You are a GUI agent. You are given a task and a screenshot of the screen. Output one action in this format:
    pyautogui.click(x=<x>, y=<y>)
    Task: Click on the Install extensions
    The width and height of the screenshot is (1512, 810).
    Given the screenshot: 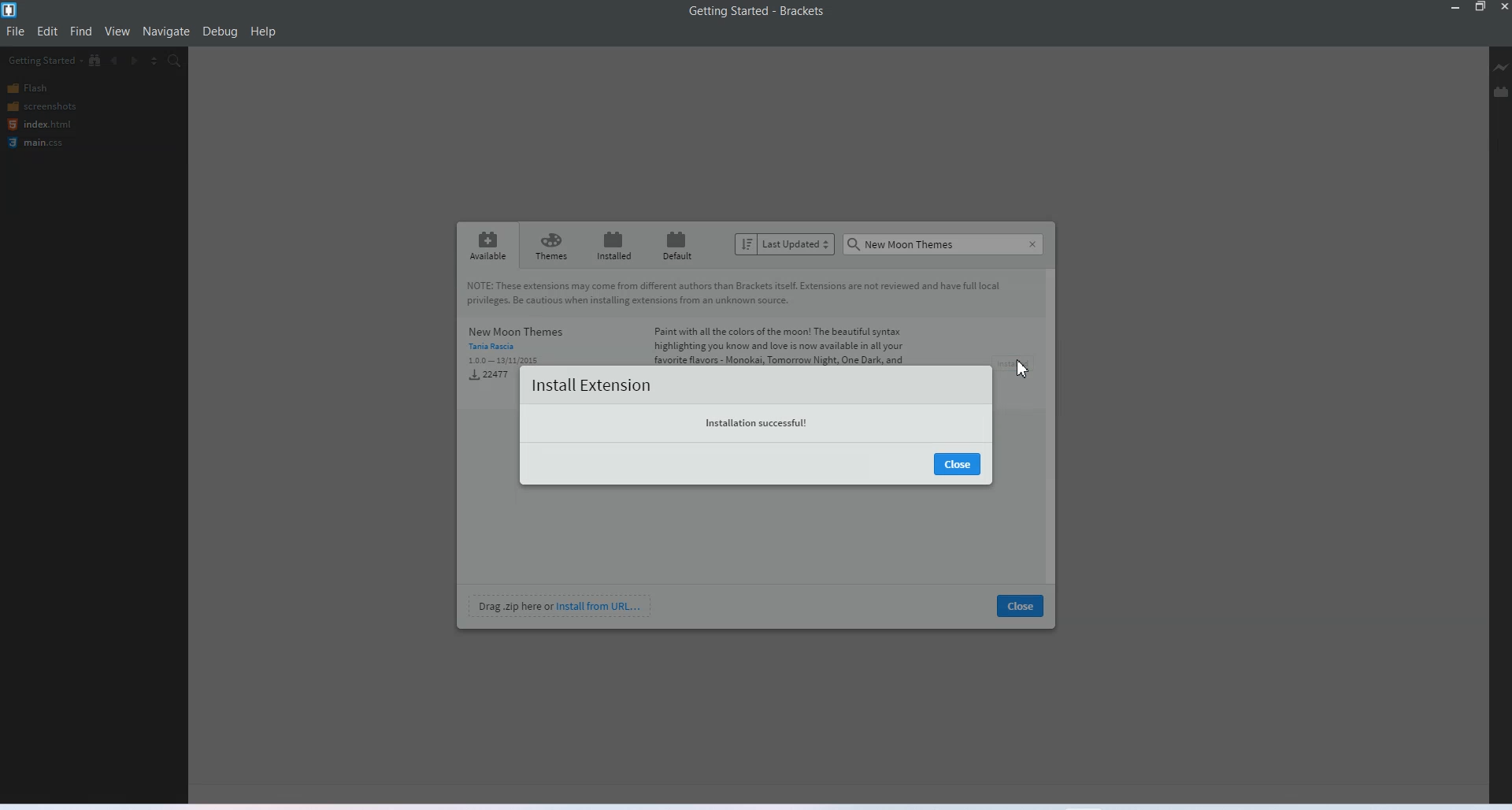 What is the action you would take?
    pyautogui.click(x=591, y=385)
    